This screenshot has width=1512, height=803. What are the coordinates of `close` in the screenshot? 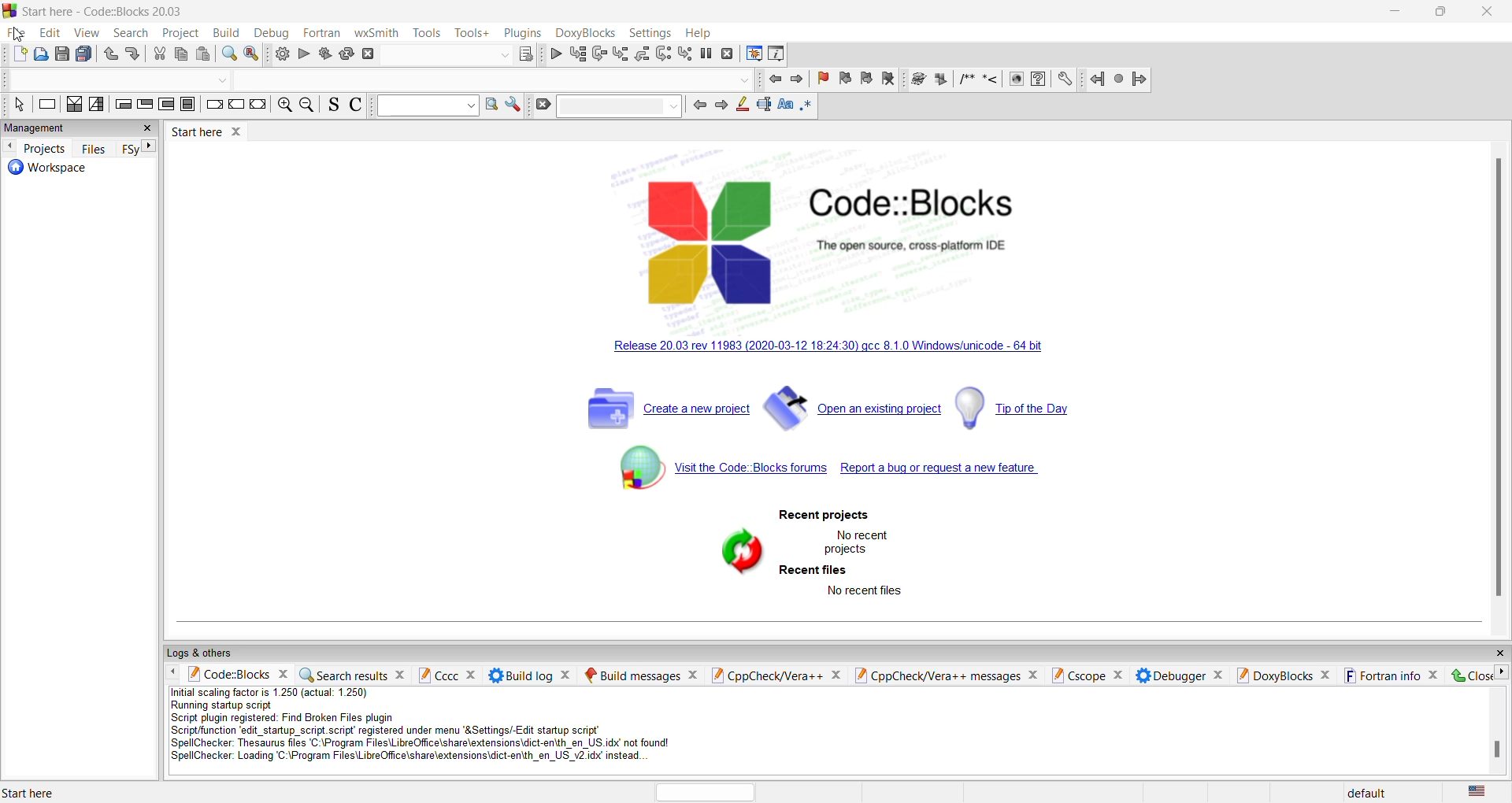 It's located at (839, 675).